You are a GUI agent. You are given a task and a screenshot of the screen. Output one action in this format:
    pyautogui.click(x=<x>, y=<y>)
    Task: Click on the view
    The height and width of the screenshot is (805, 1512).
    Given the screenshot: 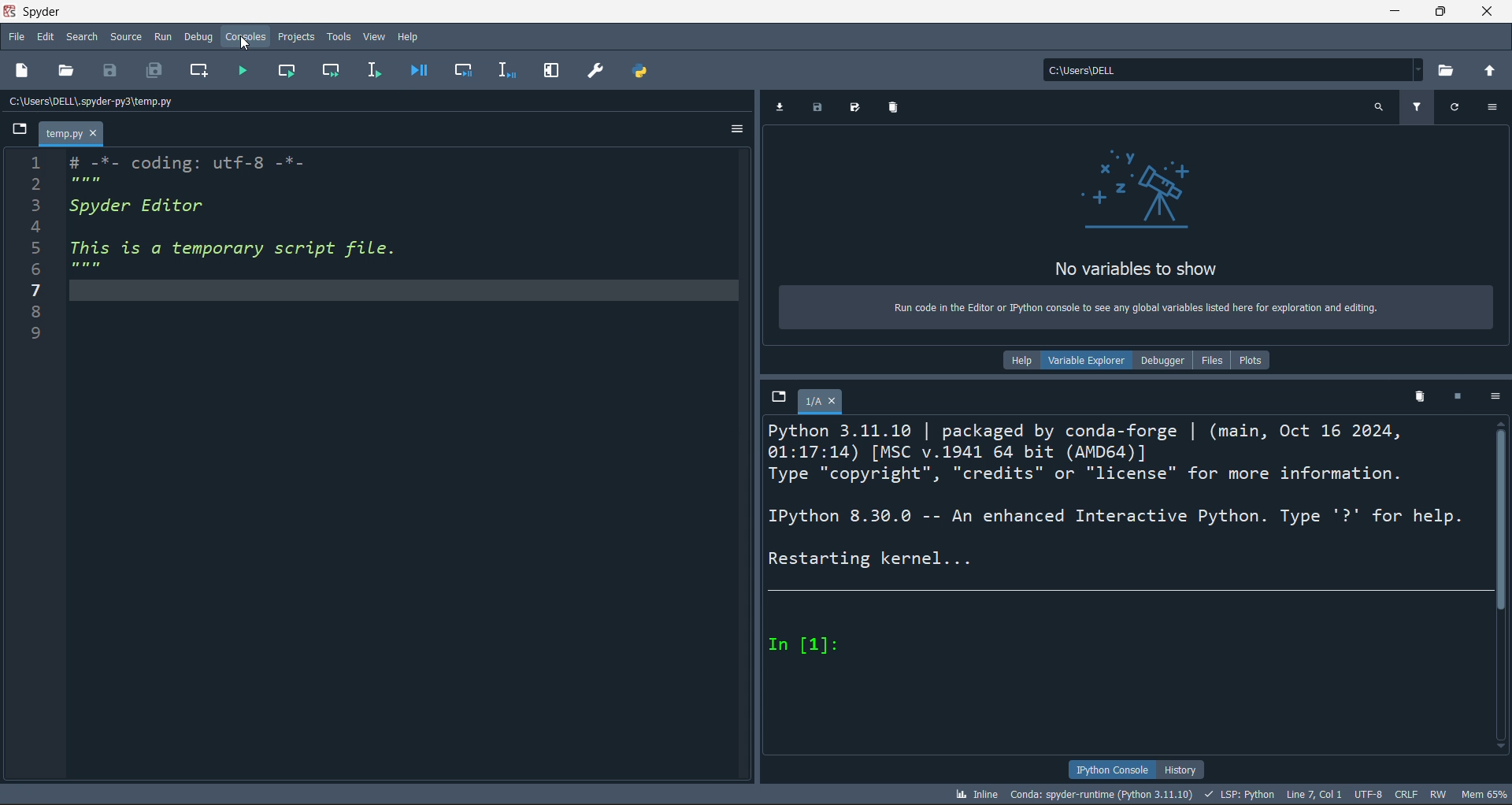 What is the action you would take?
    pyautogui.click(x=372, y=36)
    